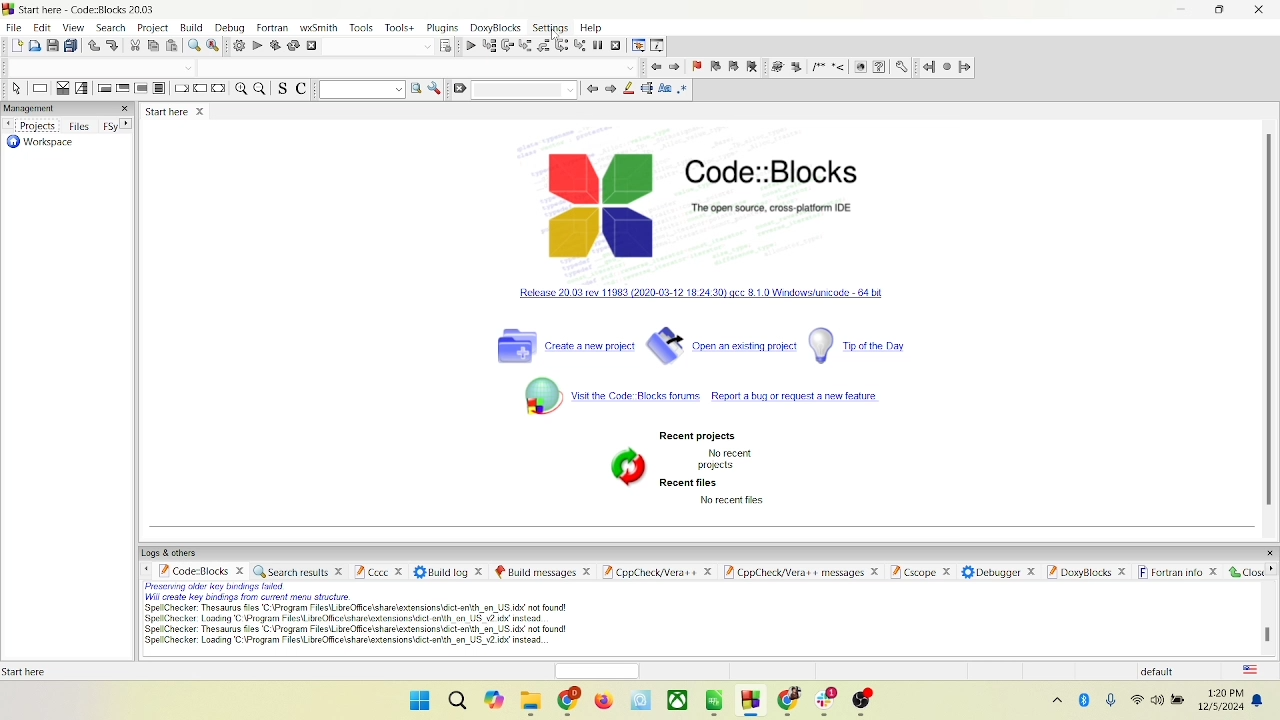 The height and width of the screenshot is (720, 1280). Describe the element at coordinates (591, 28) in the screenshot. I see `help` at that location.